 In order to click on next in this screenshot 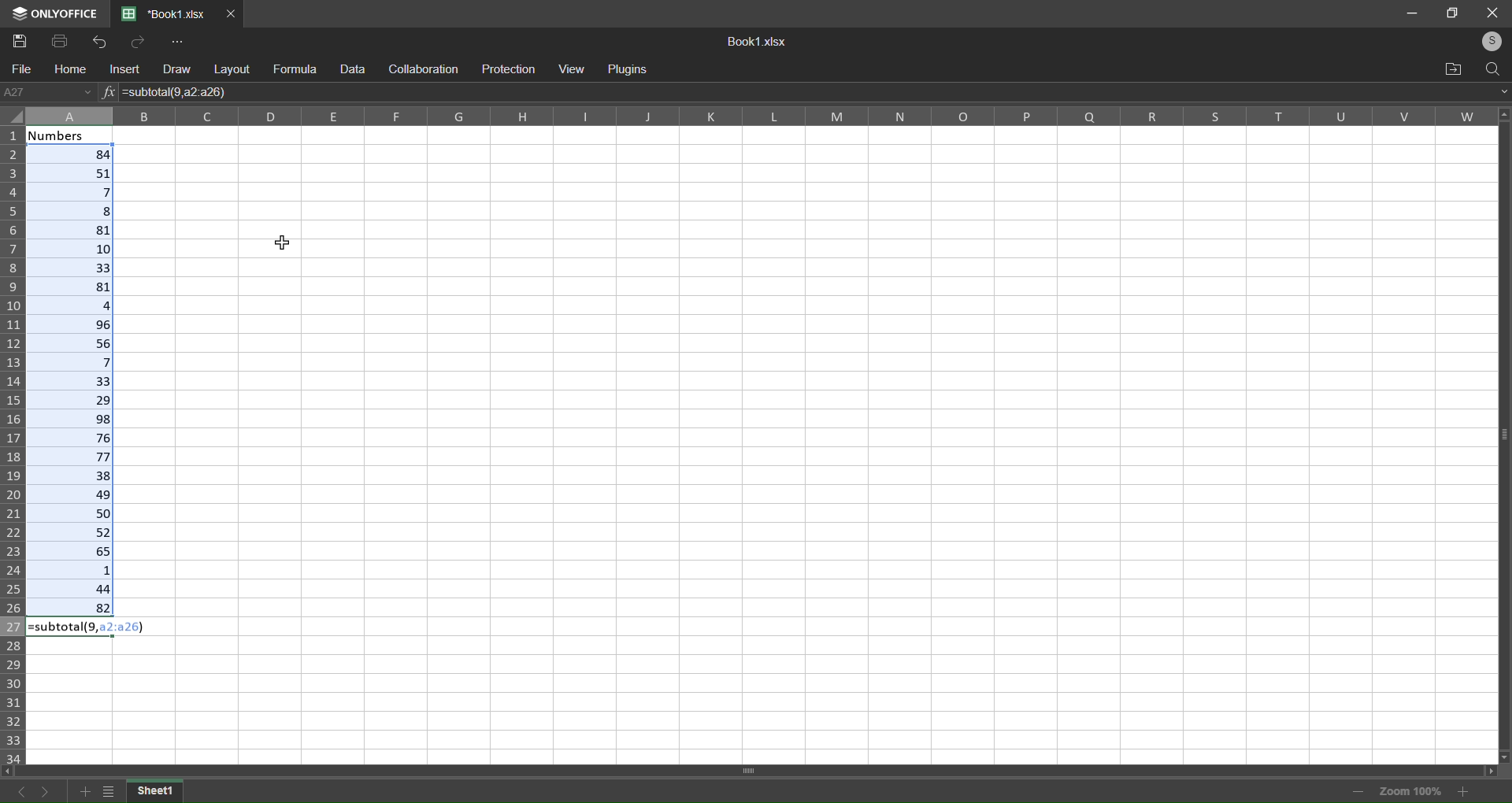, I will do `click(43, 790)`.